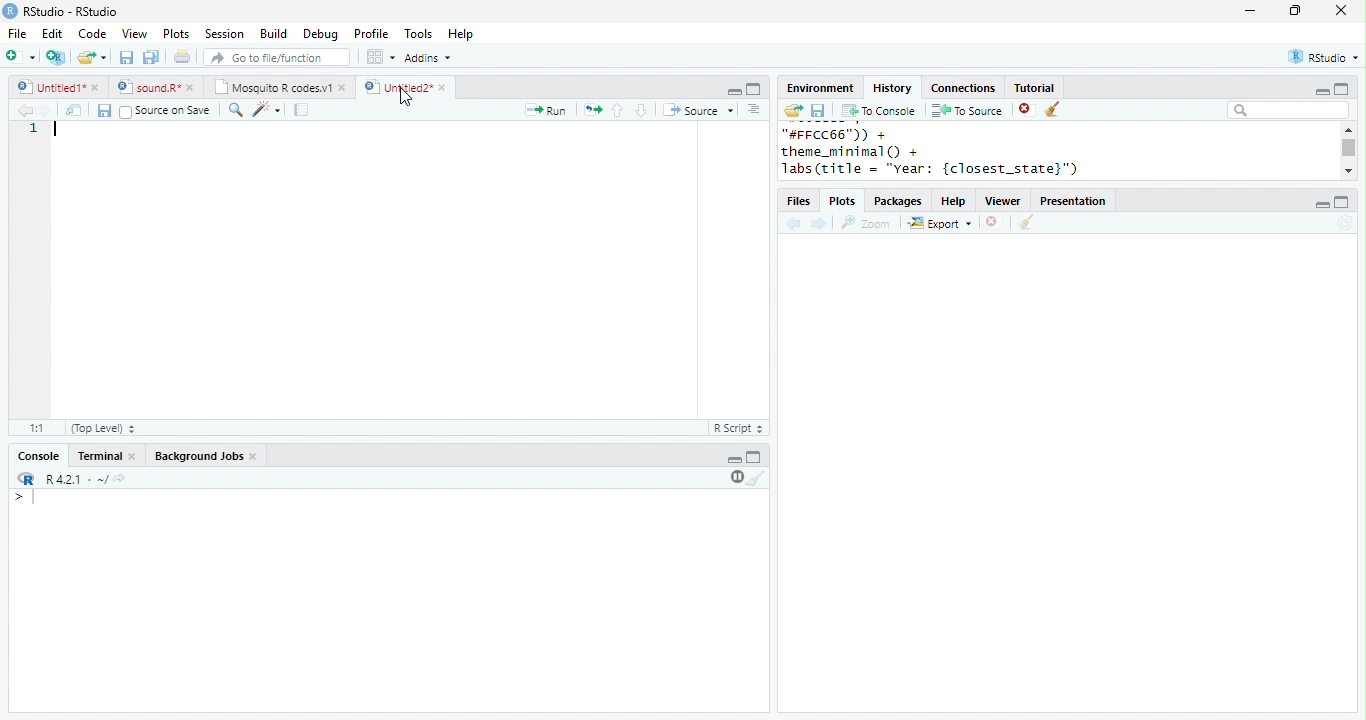 This screenshot has height=720, width=1366. I want to click on Connections, so click(965, 88).